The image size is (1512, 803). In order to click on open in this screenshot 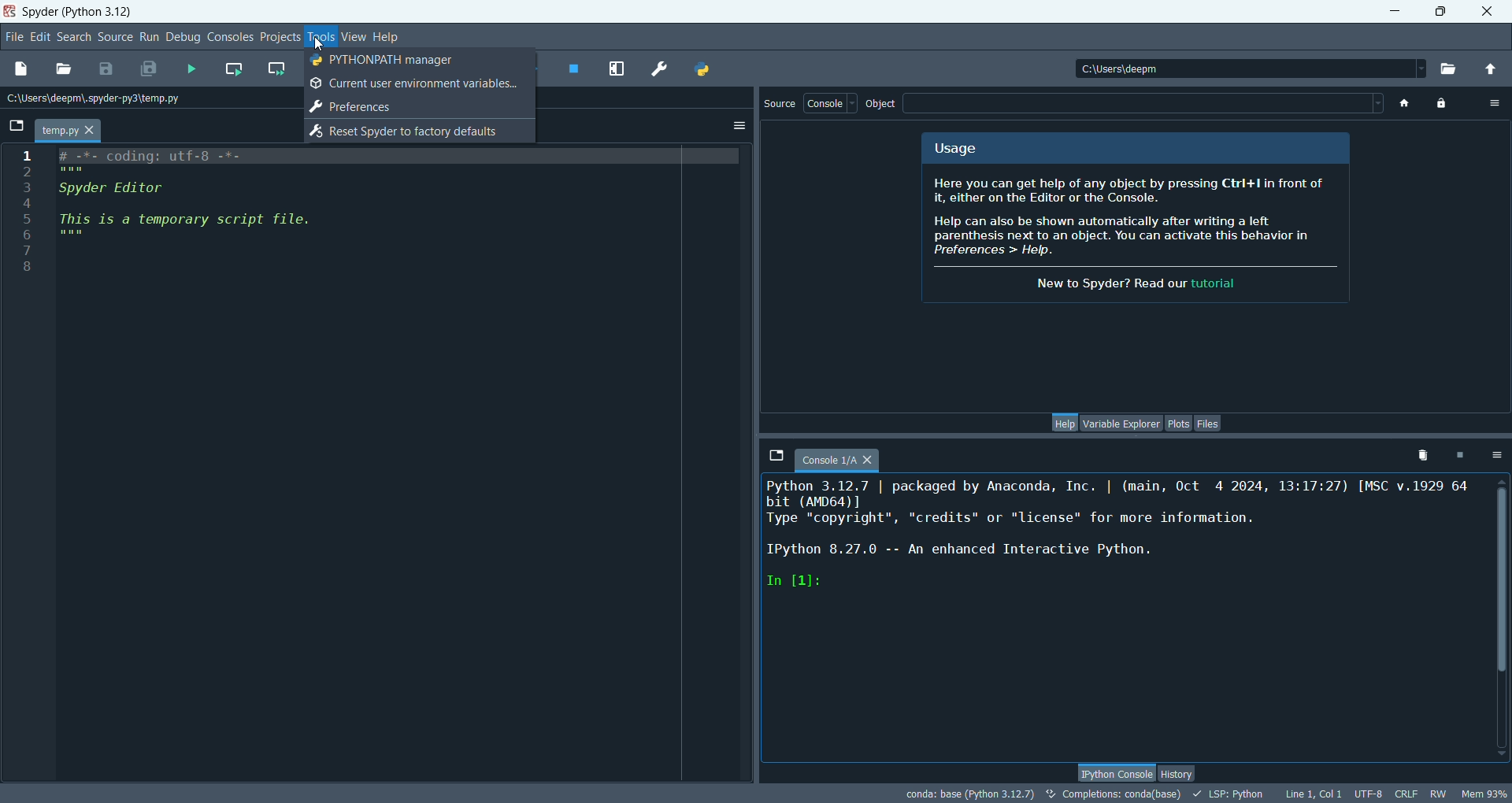, I will do `click(63, 68)`.